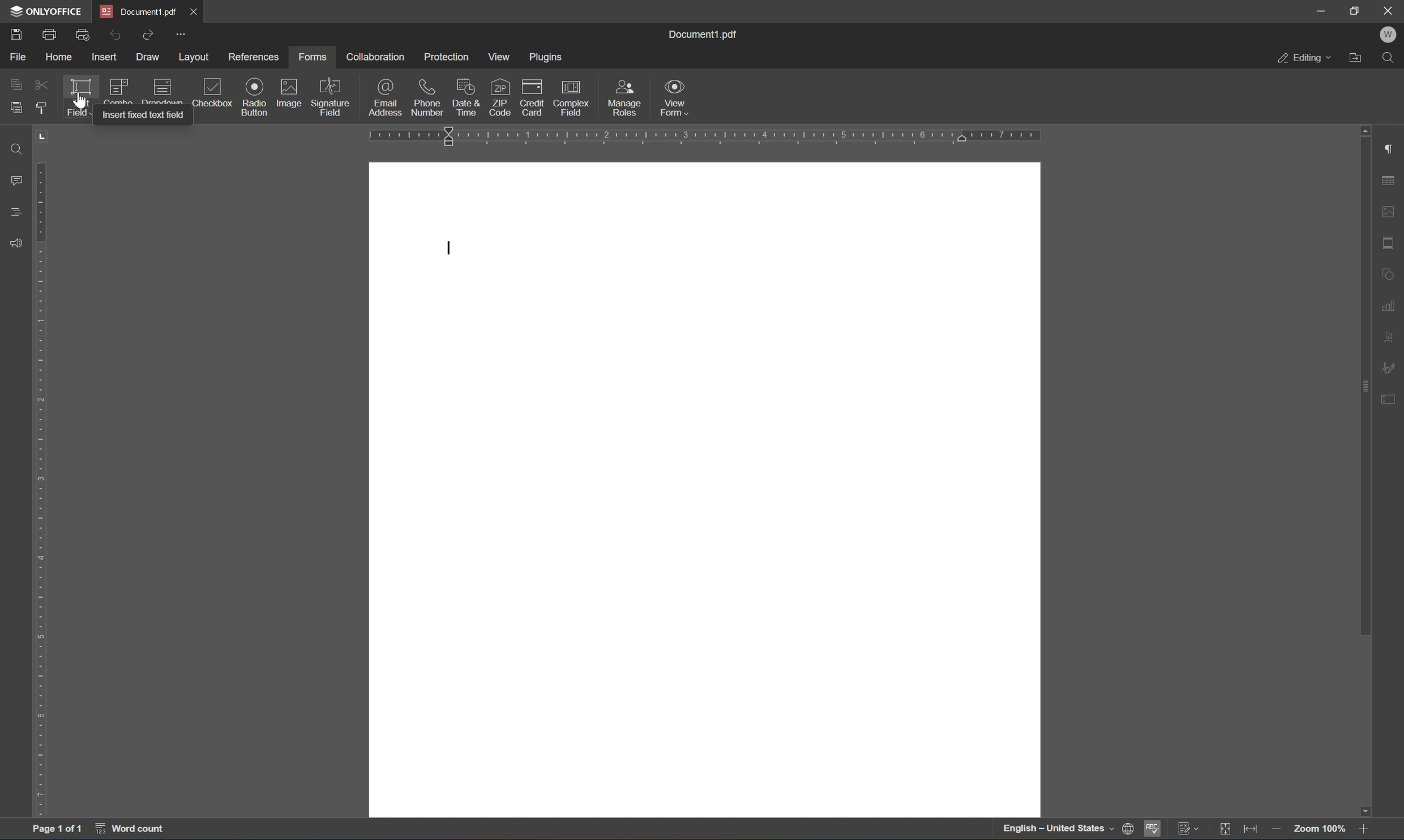 This screenshot has height=840, width=1404. Describe the element at coordinates (50, 32) in the screenshot. I see `print` at that location.